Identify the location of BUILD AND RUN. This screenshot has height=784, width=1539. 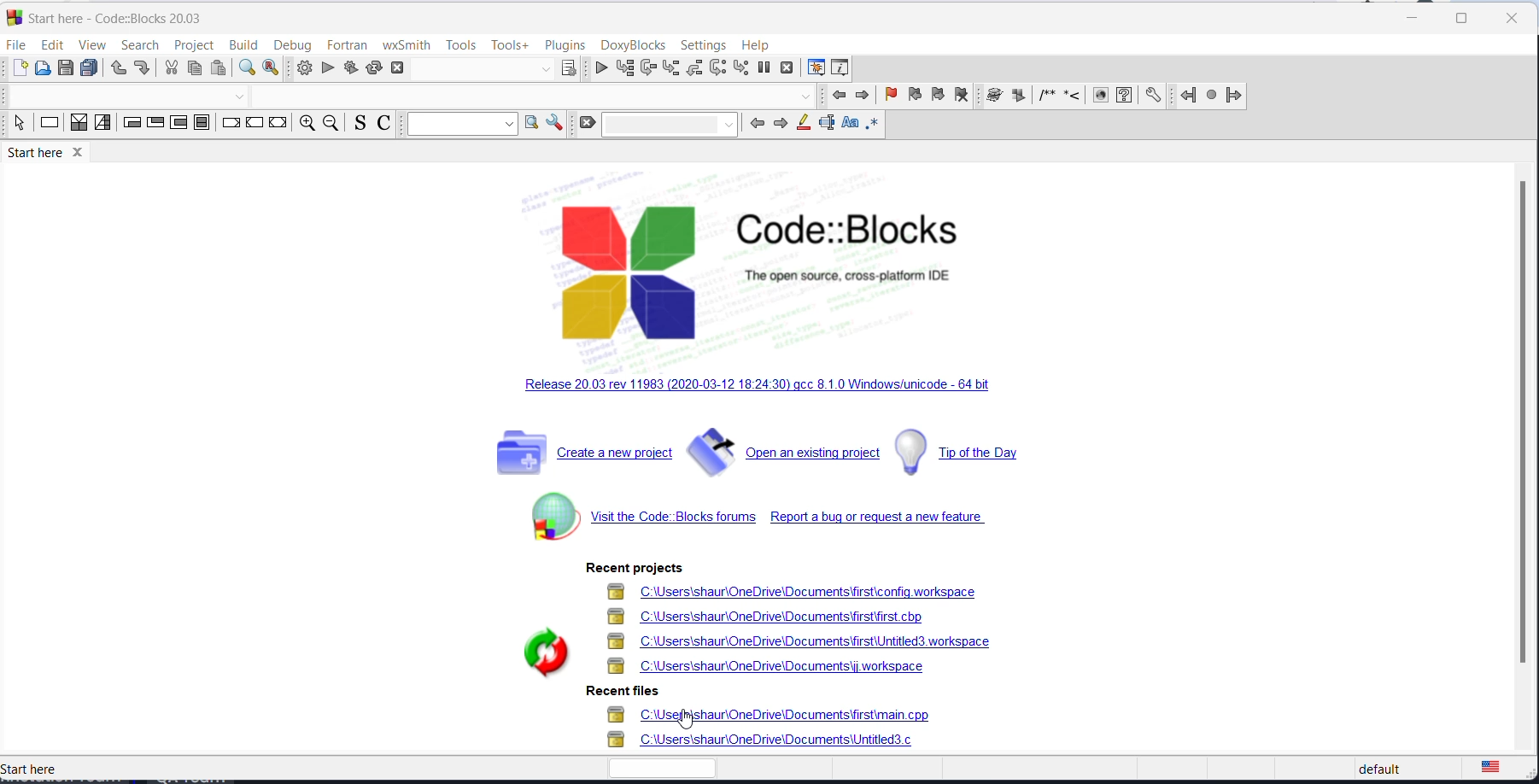
(349, 69).